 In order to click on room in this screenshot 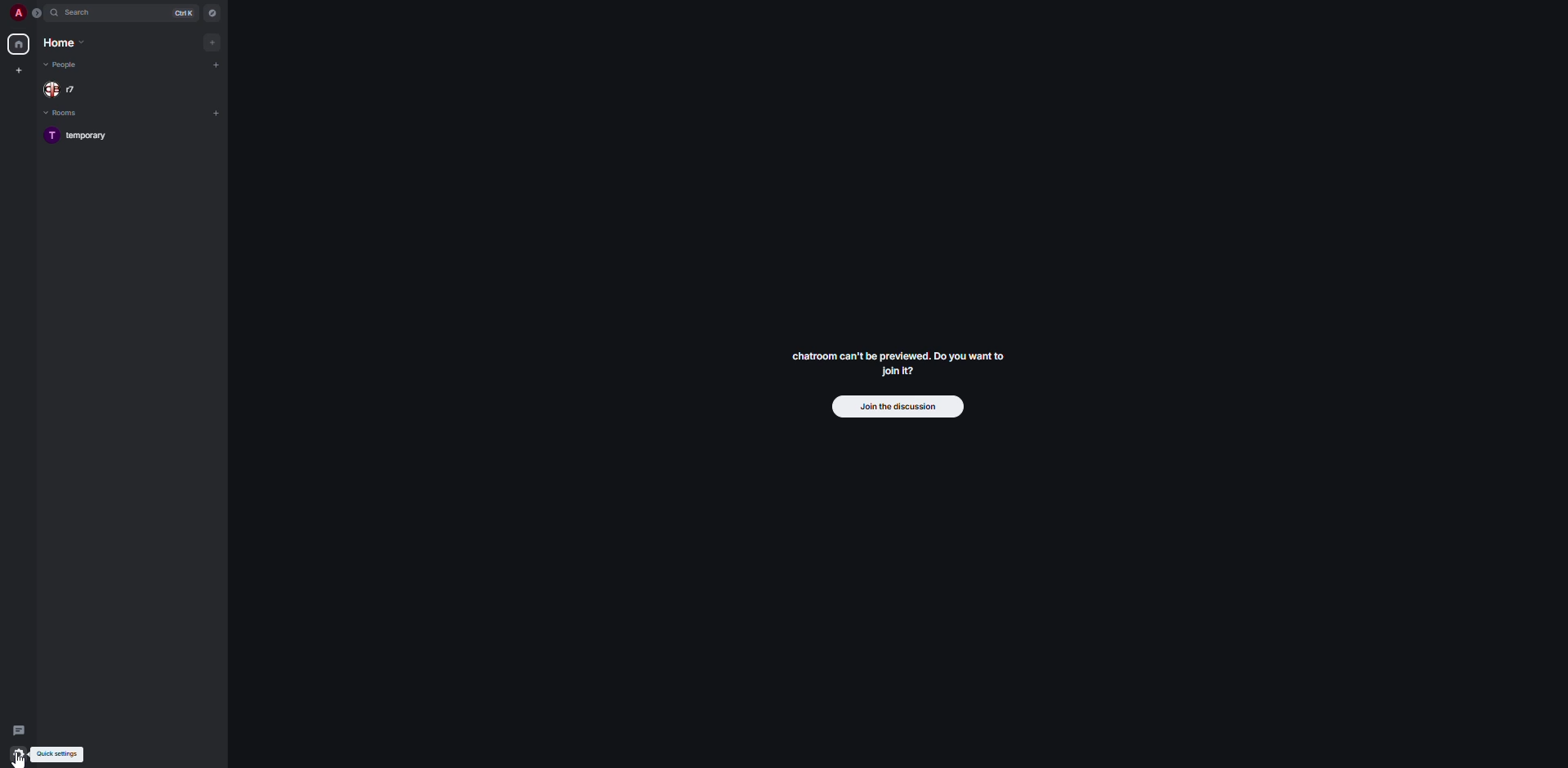, I will do `click(84, 136)`.